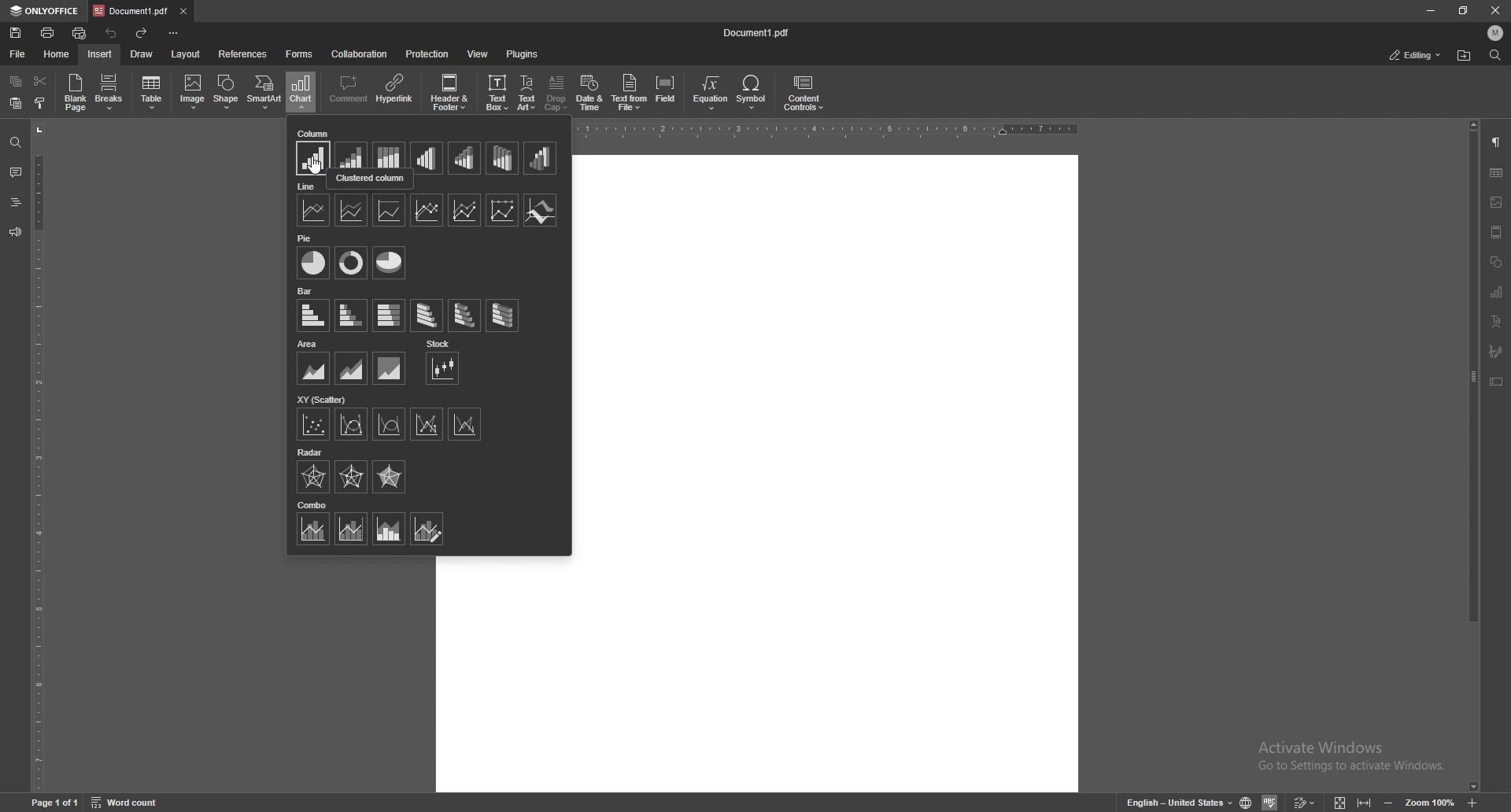 The width and height of the screenshot is (1511, 812). What do you see at coordinates (185, 54) in the screenshot?
I see `layout` at bounding box center [185, 54].